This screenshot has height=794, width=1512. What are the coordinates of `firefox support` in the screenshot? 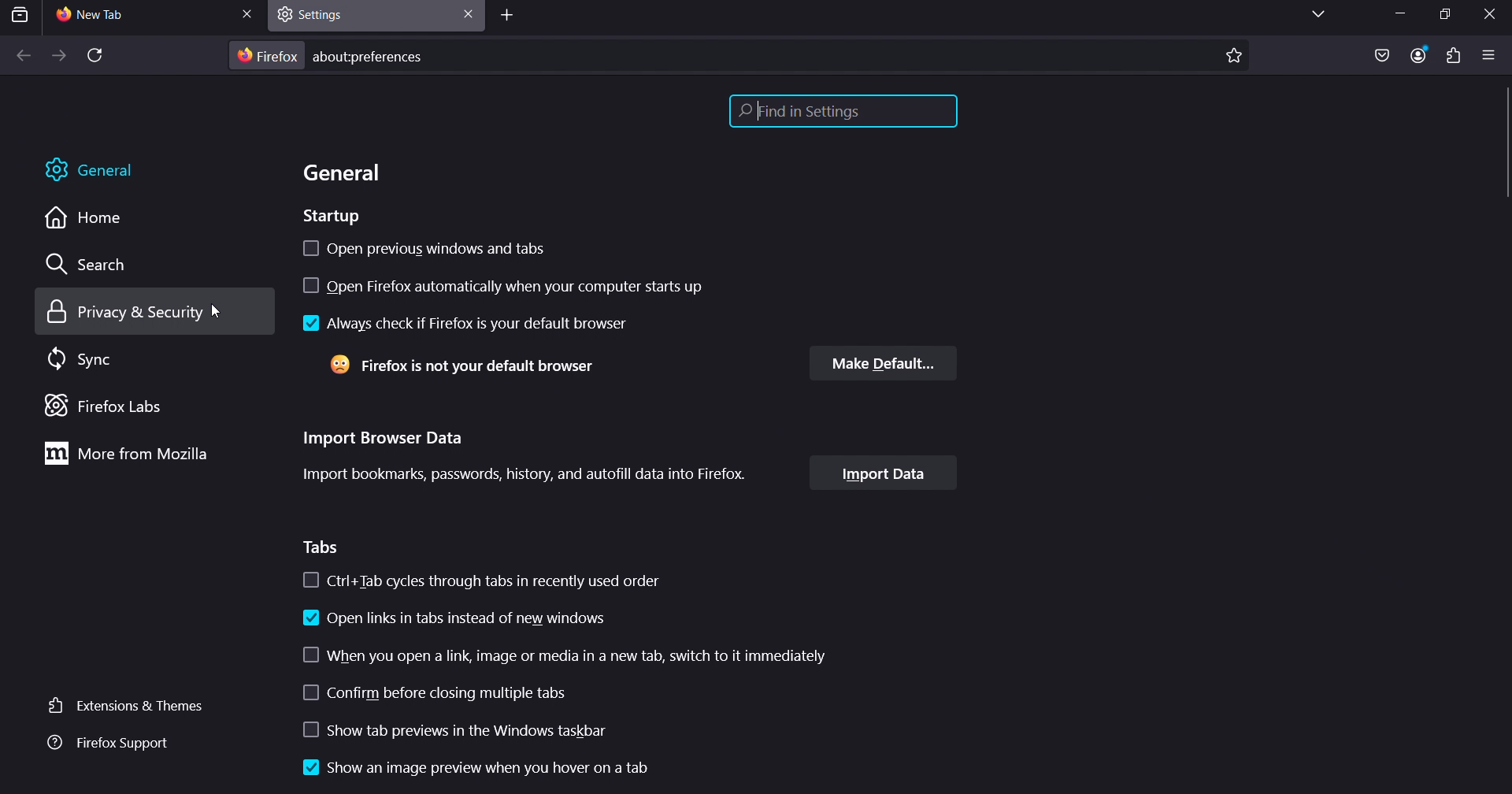 It's located at (106, 744).